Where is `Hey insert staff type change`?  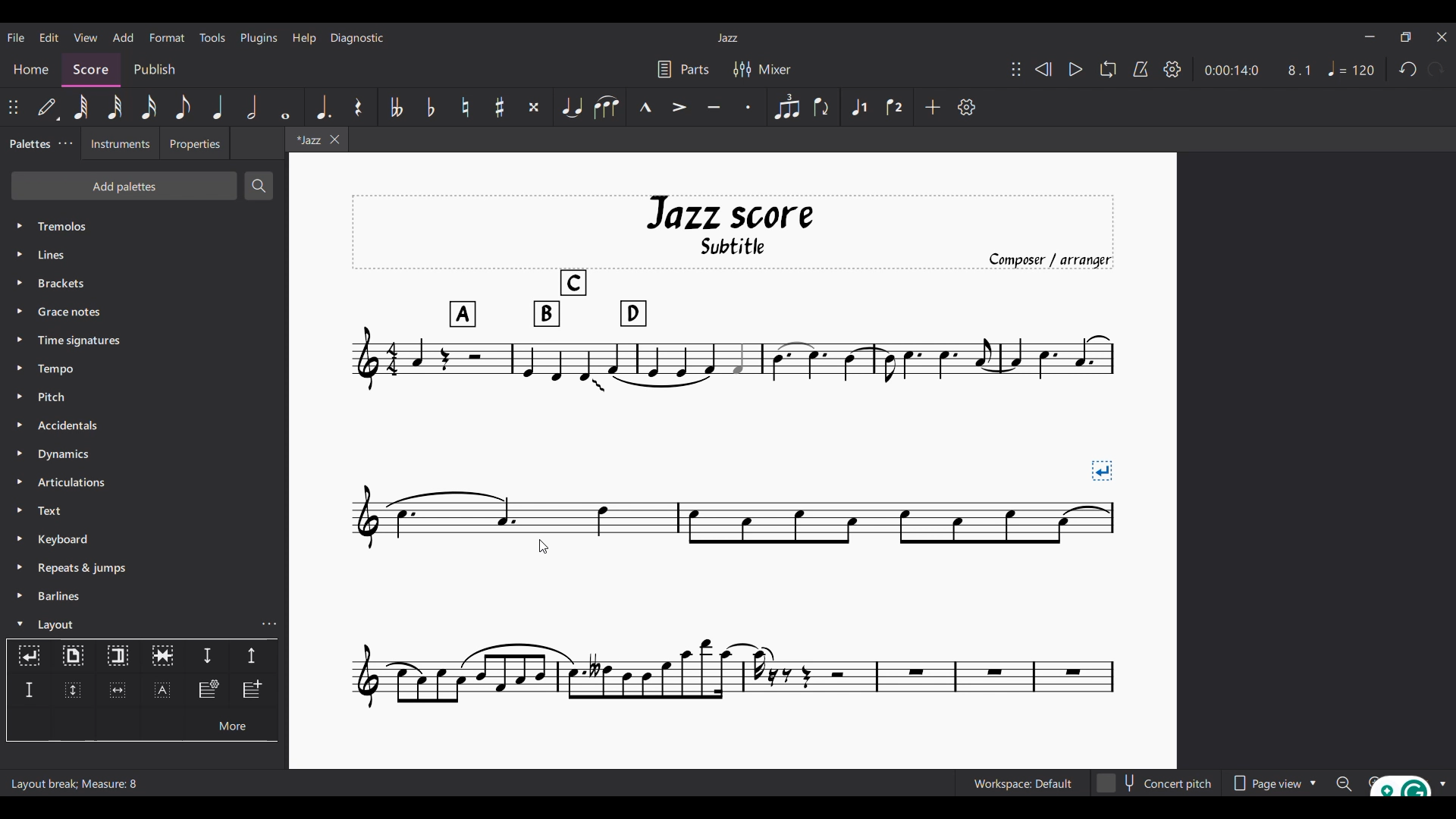 Hey insert staff type change is located at coordinates (208, 691).